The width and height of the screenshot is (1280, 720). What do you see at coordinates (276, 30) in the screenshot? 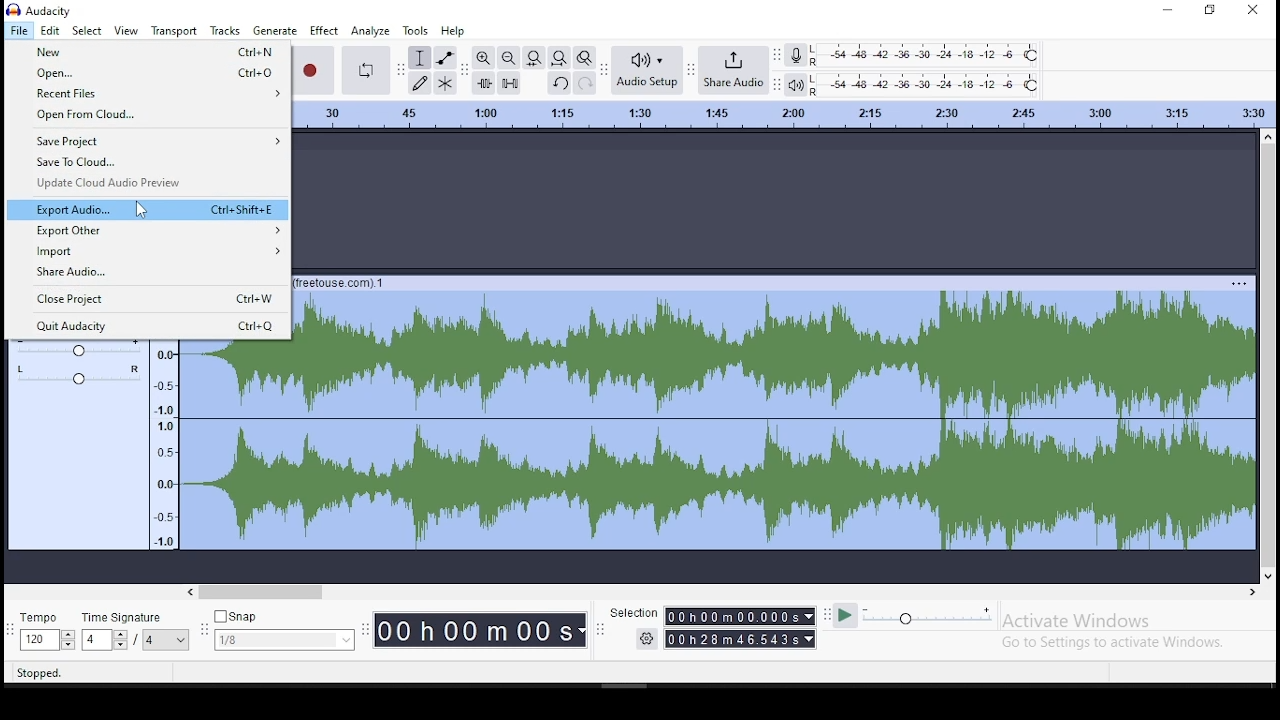
I see `generate` at bounding box center [276, 30].